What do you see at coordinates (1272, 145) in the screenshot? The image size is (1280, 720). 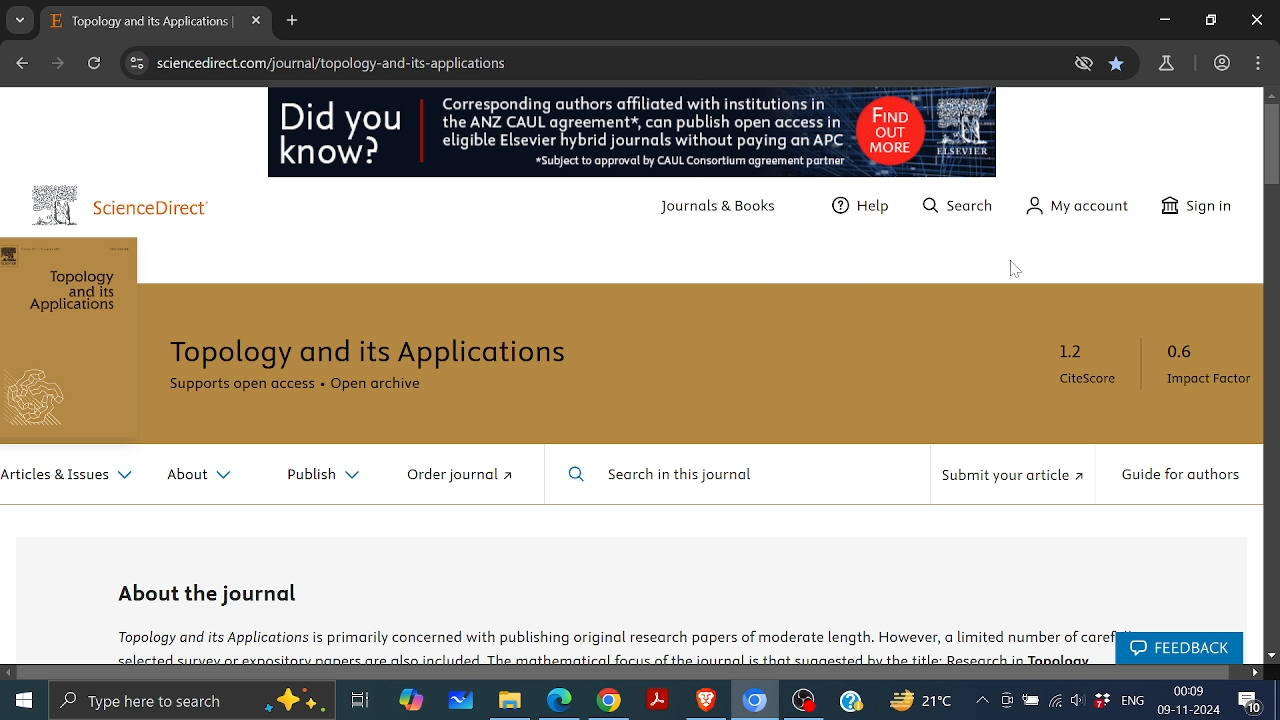 I see `Vertical scroll Bar` at bounding box center [1272, 145].